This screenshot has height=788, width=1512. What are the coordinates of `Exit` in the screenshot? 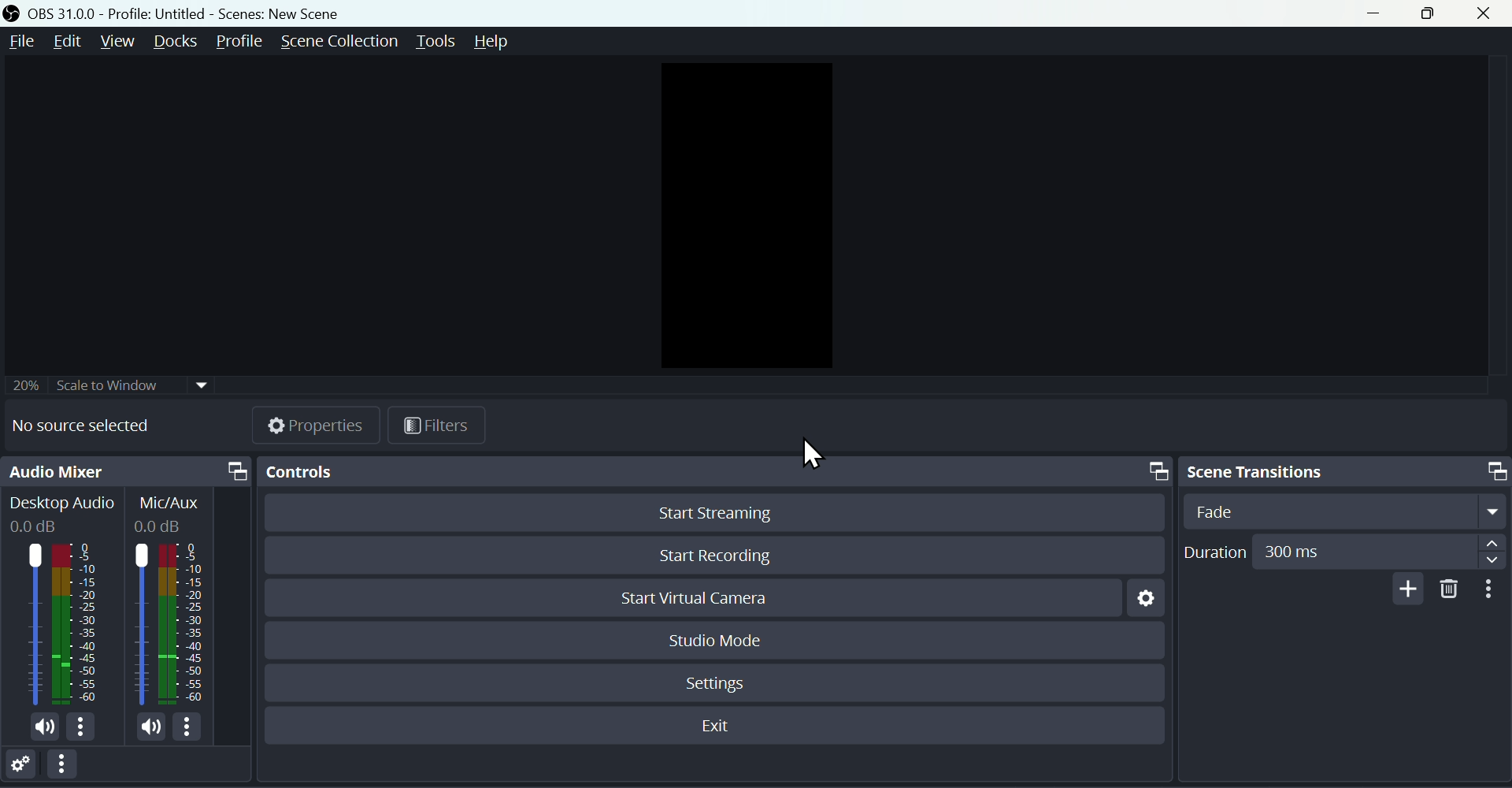 It's located at (721, 727).